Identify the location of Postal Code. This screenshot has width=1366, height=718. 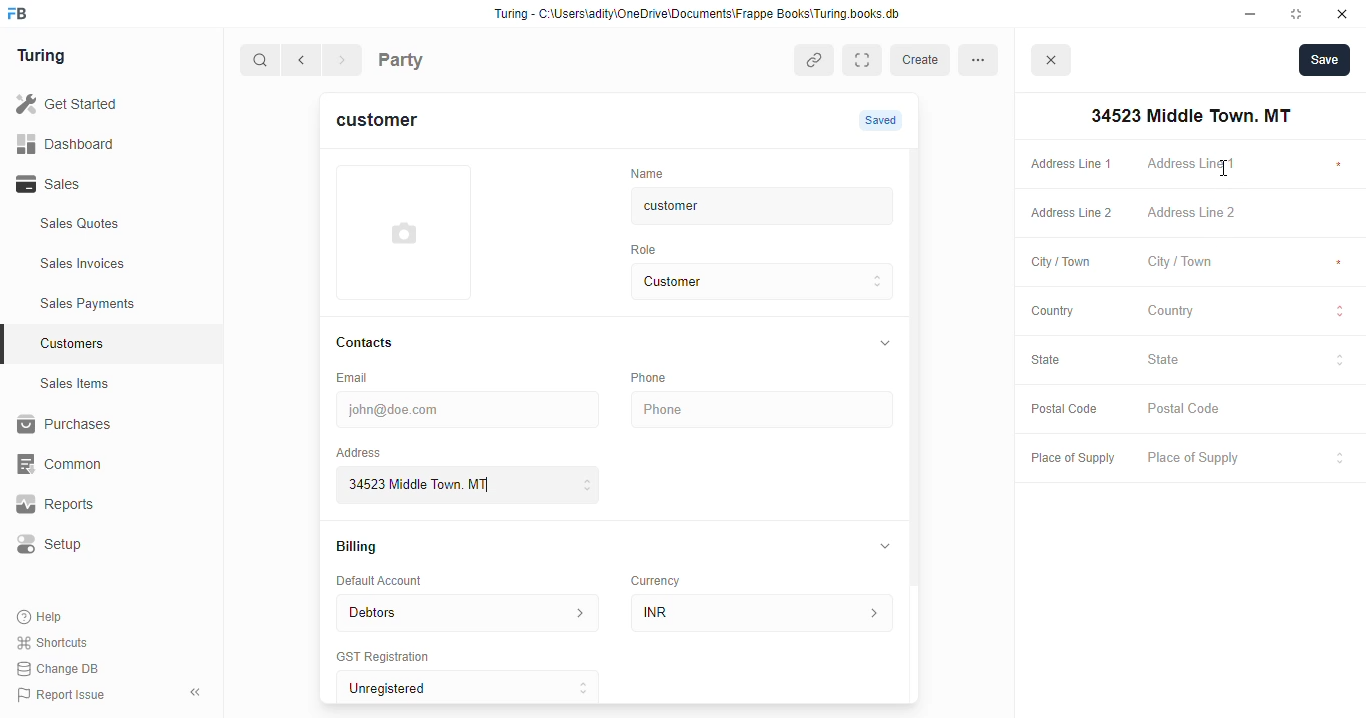
(1247, 410).